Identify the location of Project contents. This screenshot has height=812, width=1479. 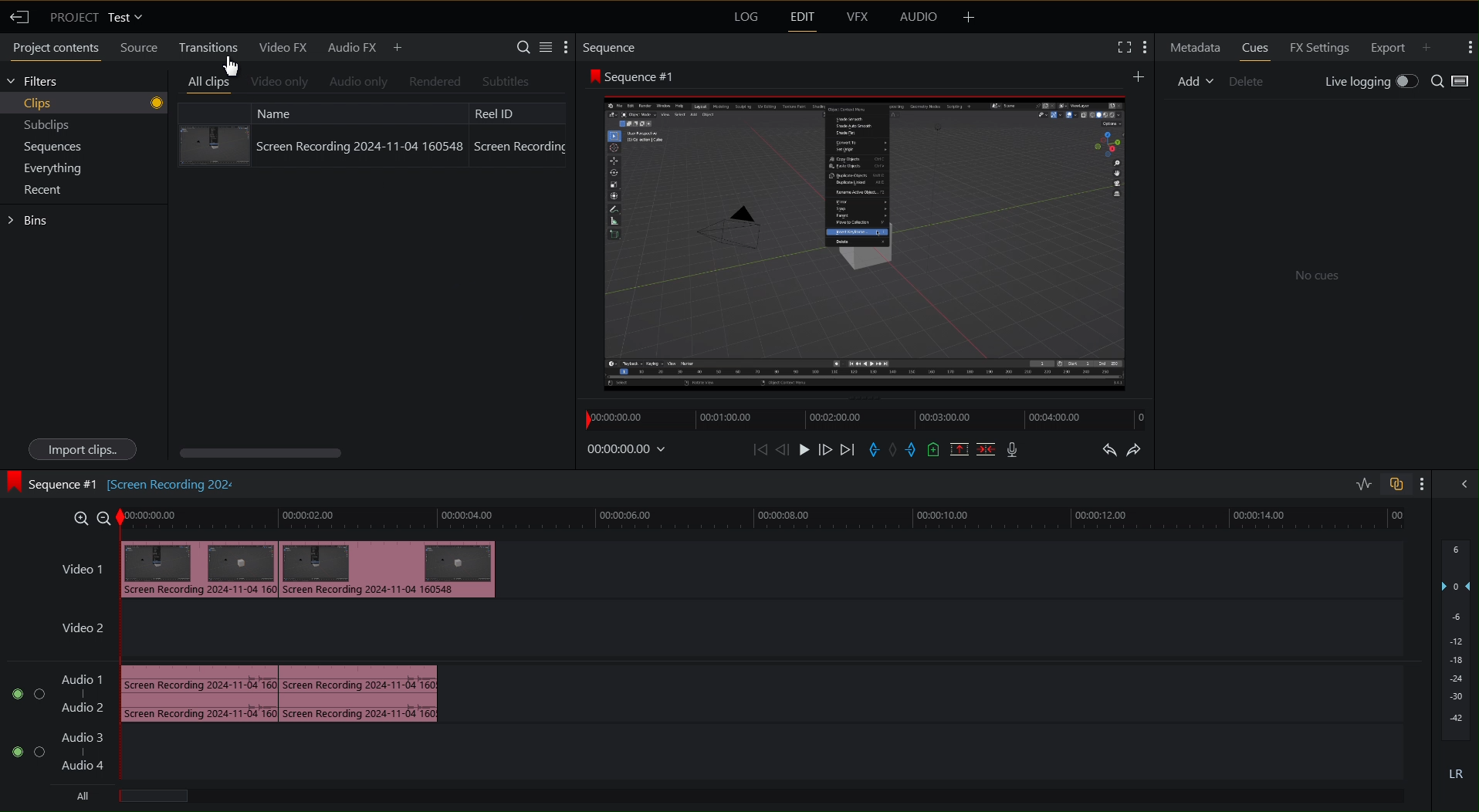
(53, 49).